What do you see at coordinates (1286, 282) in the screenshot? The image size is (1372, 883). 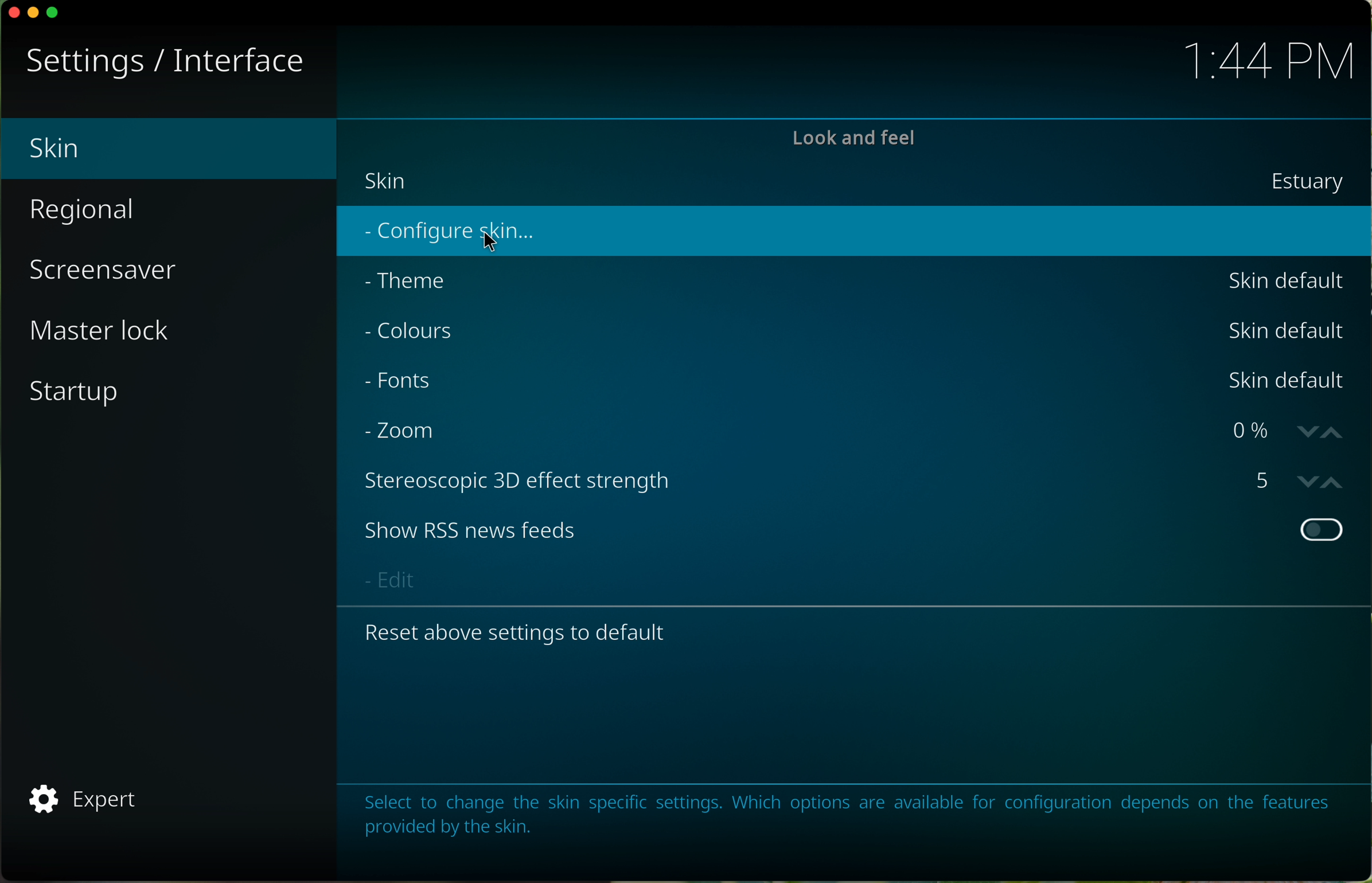 I see `skin default` at bounding box center [1286, 282].